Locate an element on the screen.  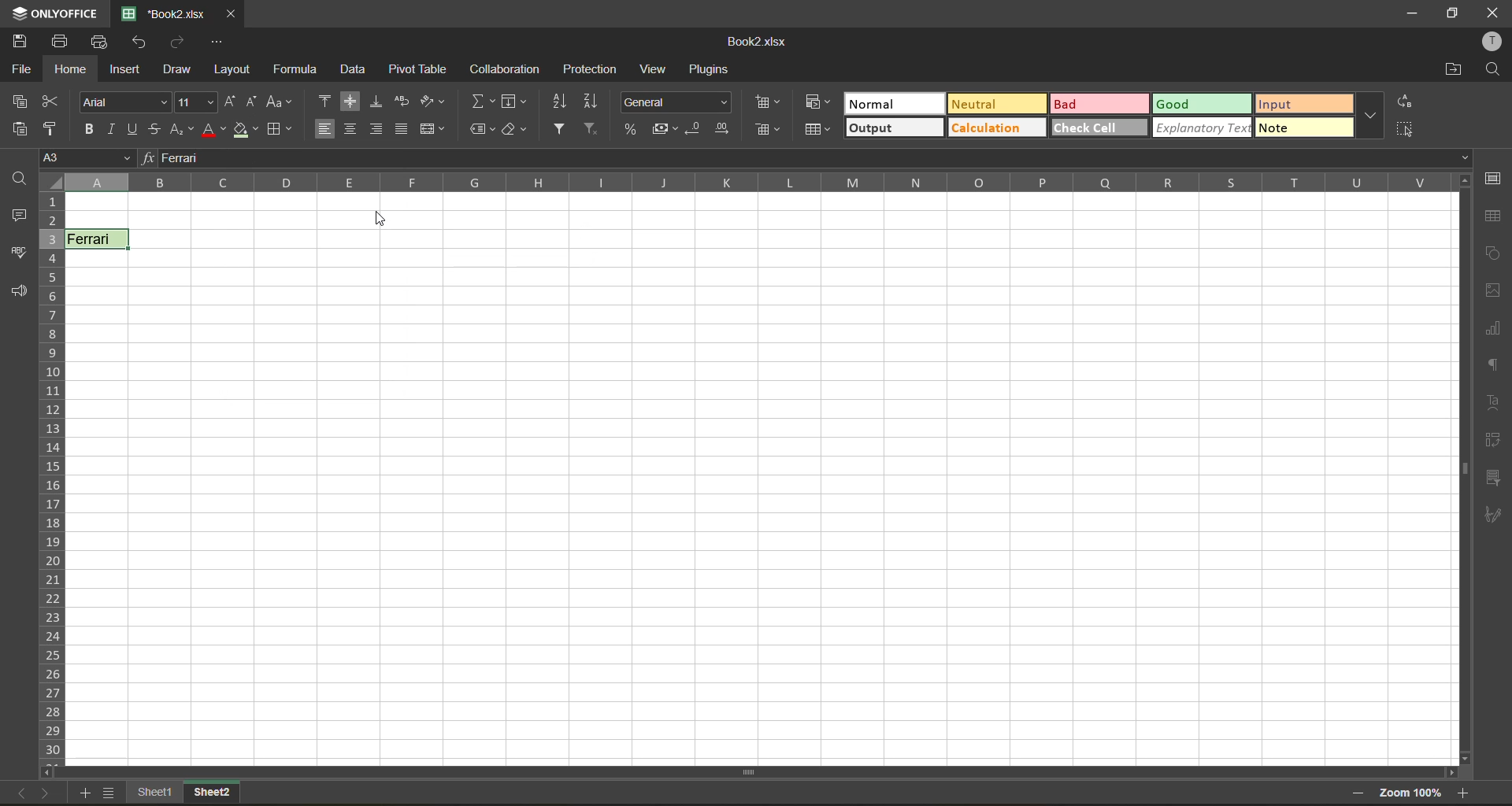
font style is located at coordinates (124, 102).